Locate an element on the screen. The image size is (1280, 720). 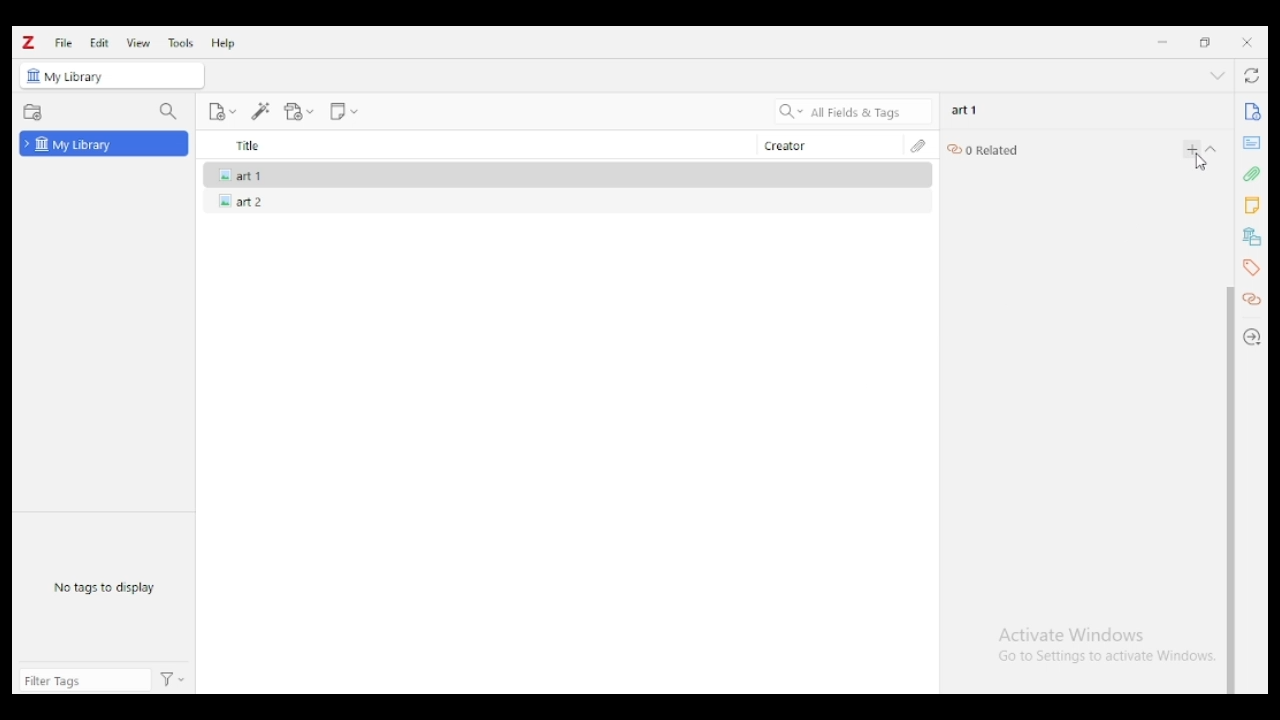
locate is located at coordinates (1254, 337).